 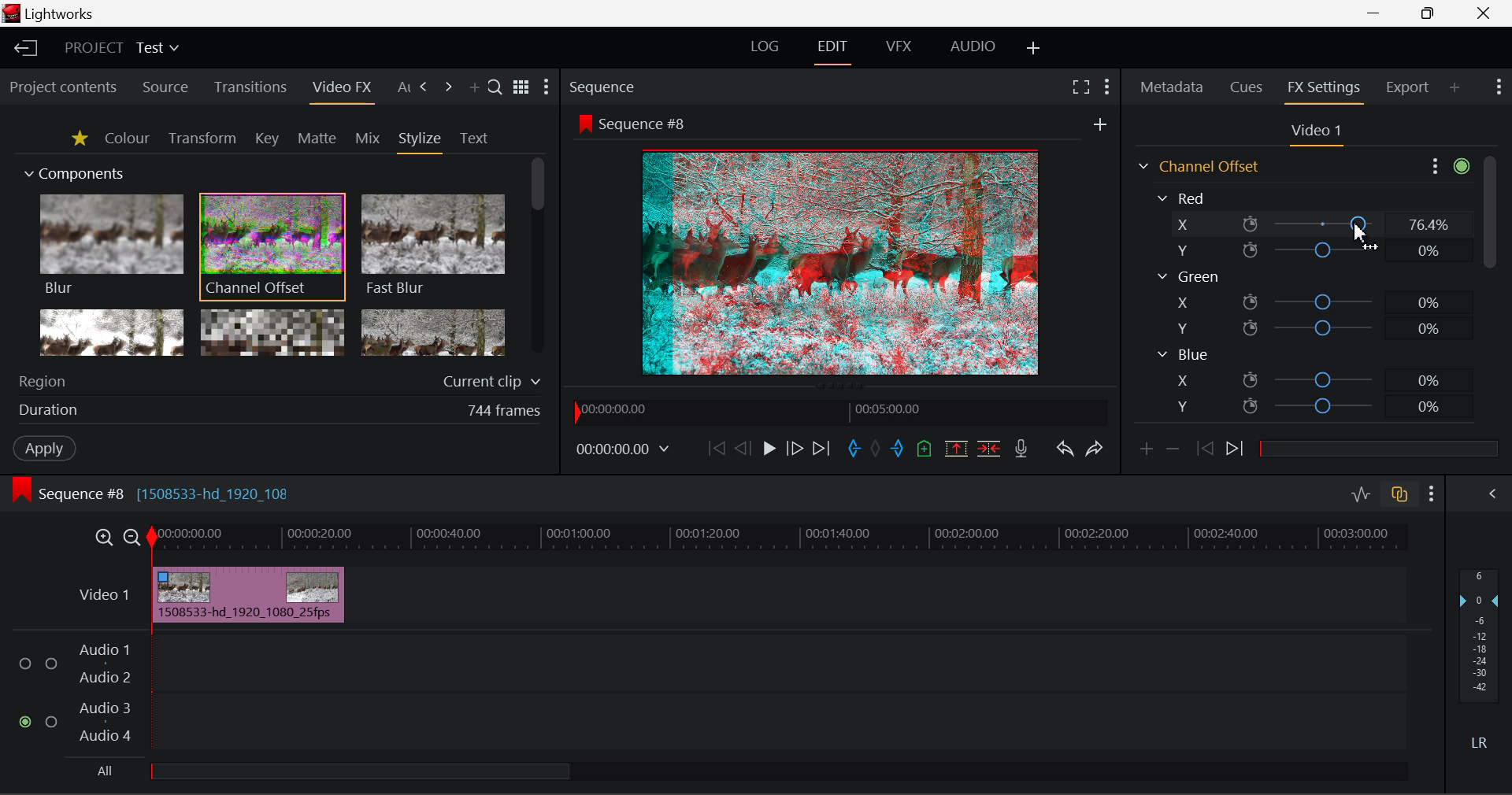 I want to click on Delete/Cut, so click(x=991, y=449).